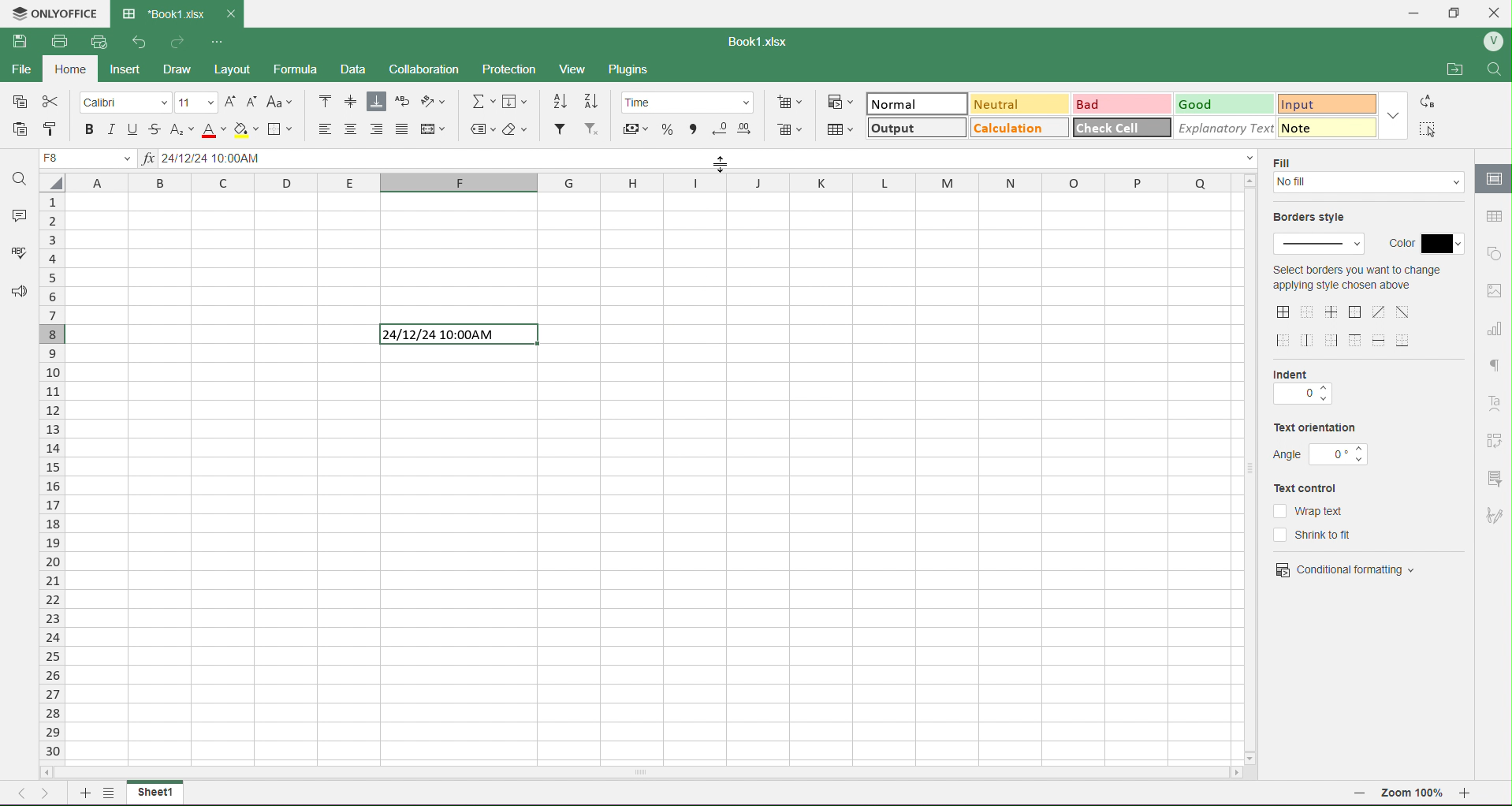 Image resolution: width=1512 pixels, height=806 pixels. Describe the element at coordinates (58, 186) in the screenshot. I see `select all` at that location.